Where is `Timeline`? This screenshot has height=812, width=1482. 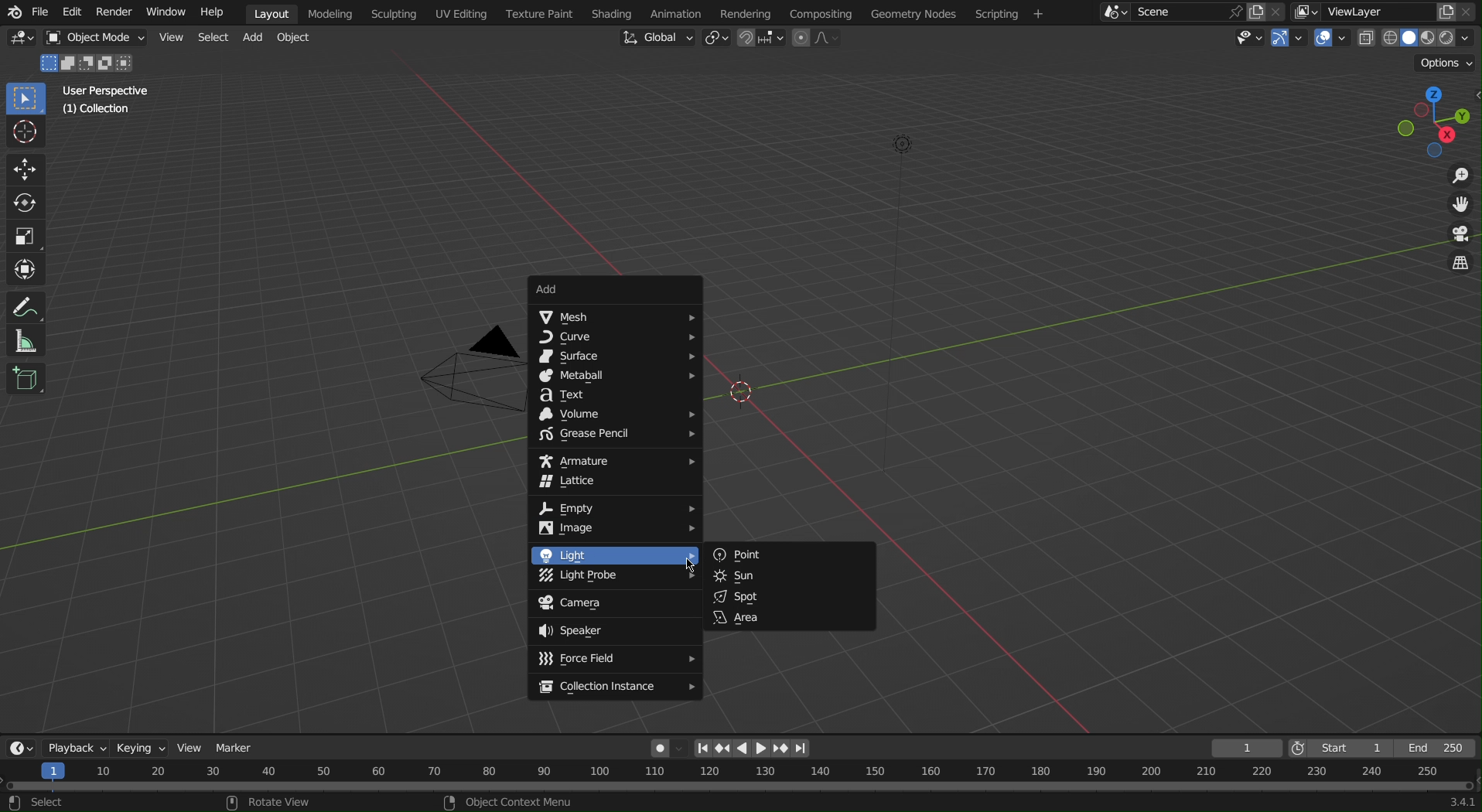
Timeline is located at coordinates (741, 776).